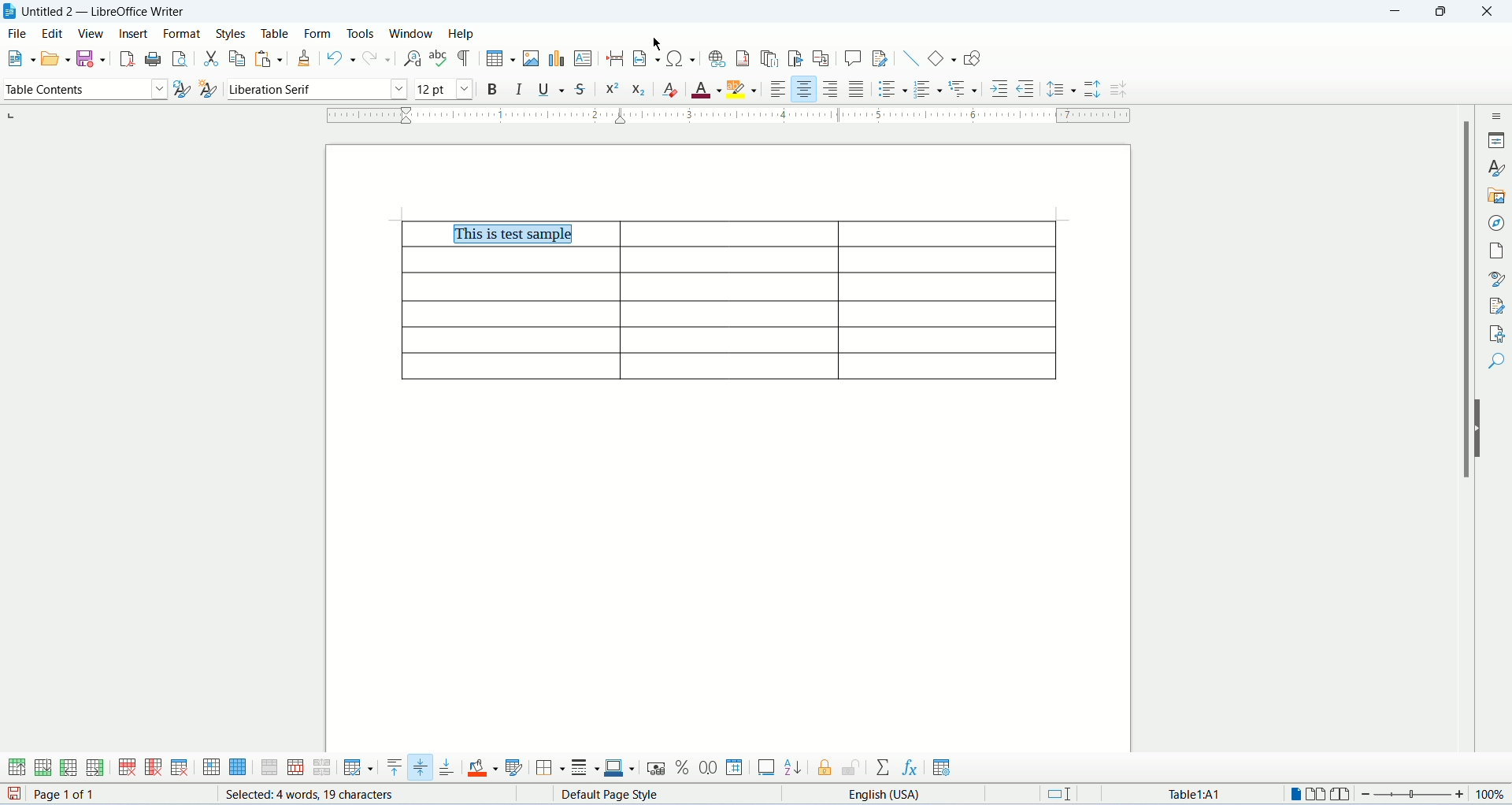 The image size is (1512, 805). I want to click on zoom bar, so click(1416, 796).